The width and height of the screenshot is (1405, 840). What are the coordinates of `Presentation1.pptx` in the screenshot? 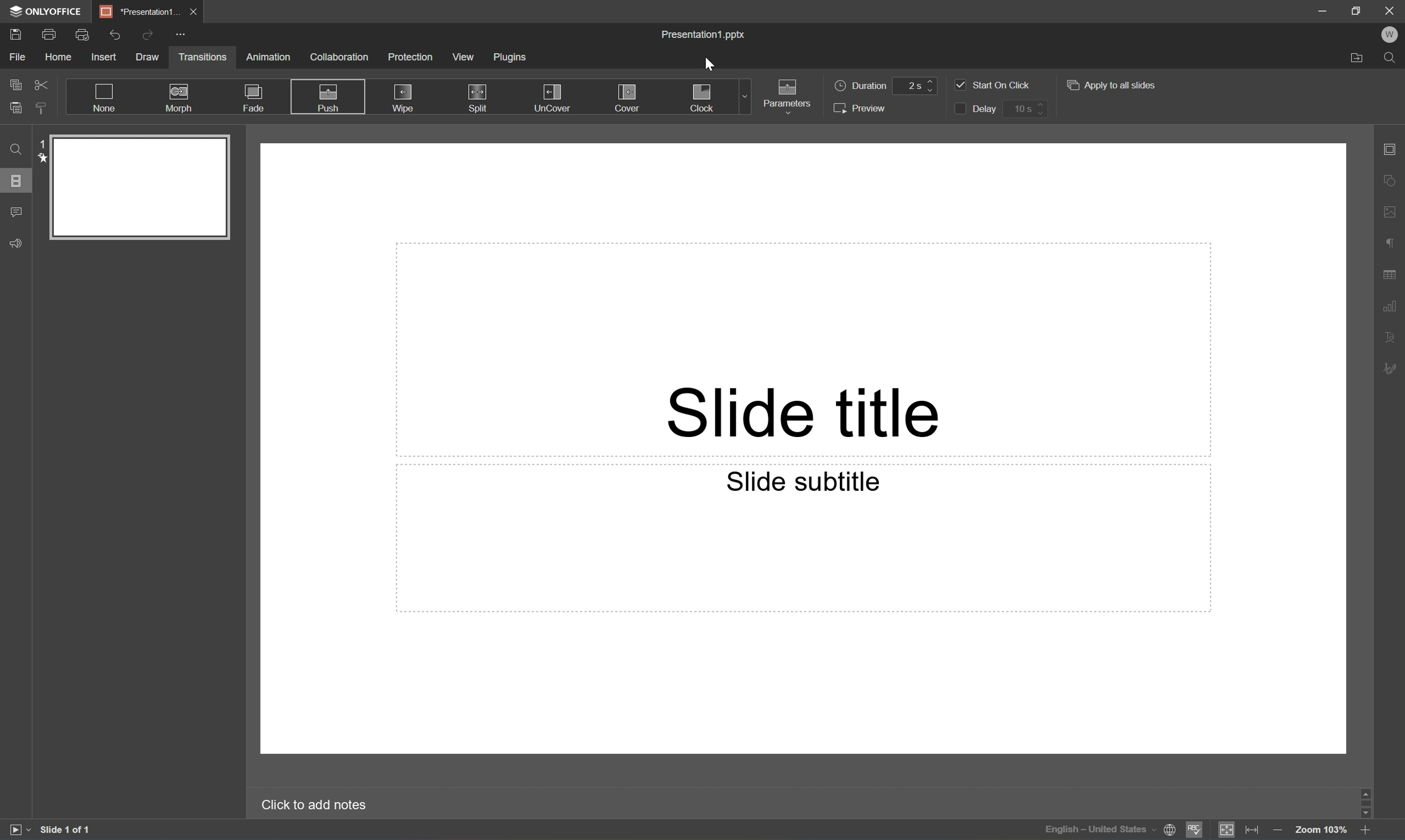 It's located at (703, 34).